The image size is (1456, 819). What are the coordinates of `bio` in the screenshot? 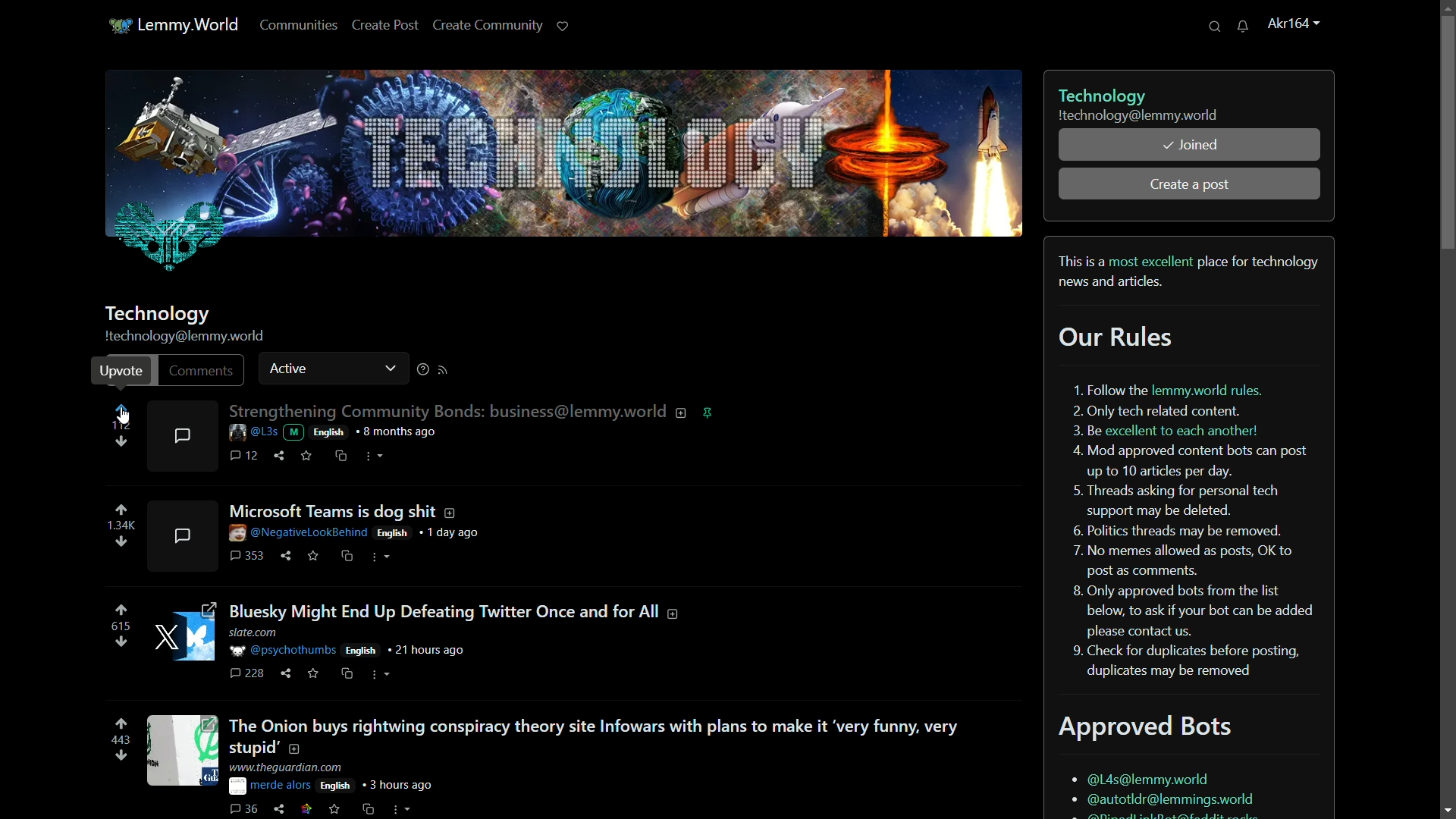 It's located at (1191, 272).